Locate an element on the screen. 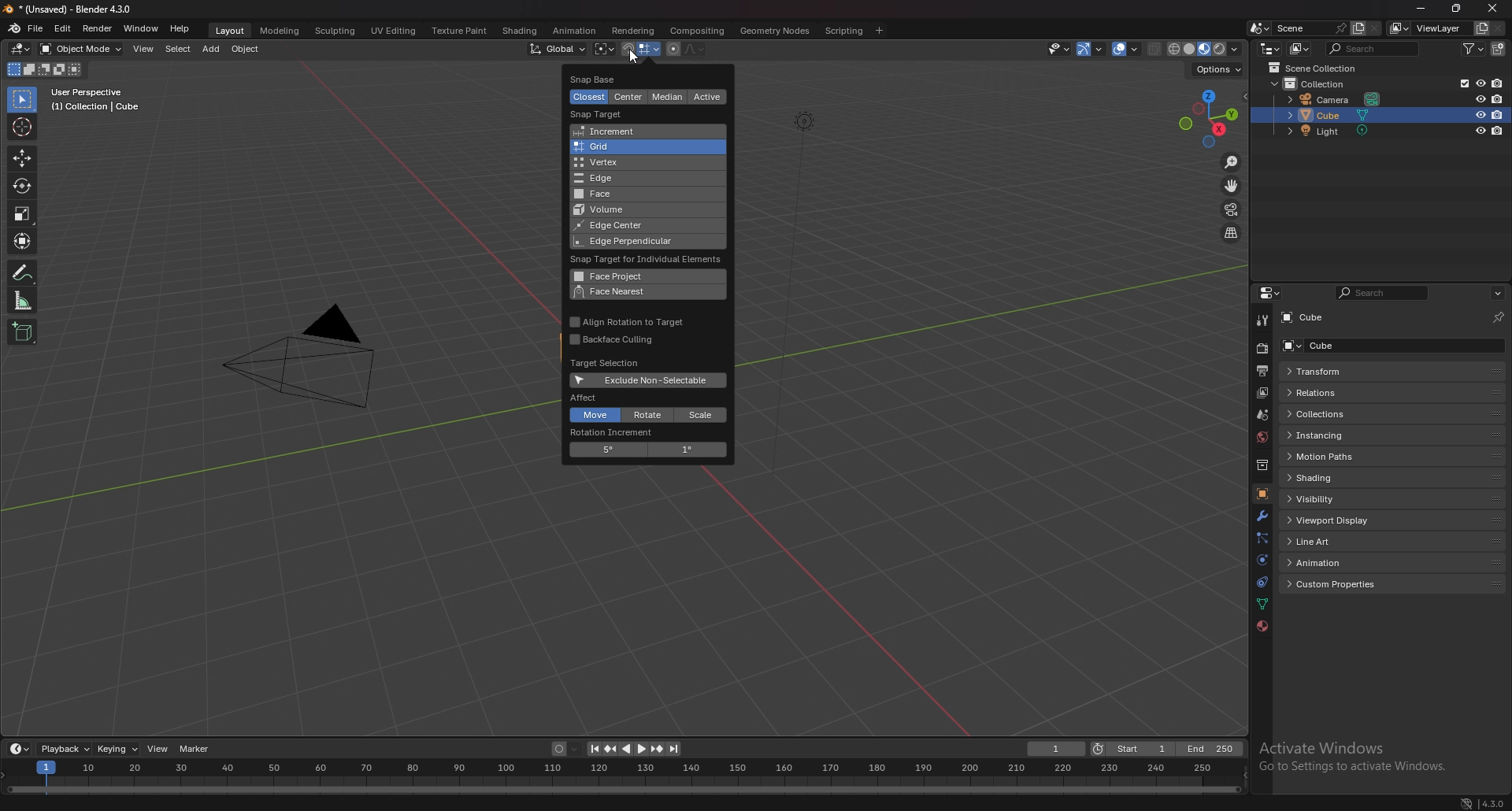 Image resolution: width=1512 pixels, height=811 pixels. object mode is located at coordinates (82, 49).